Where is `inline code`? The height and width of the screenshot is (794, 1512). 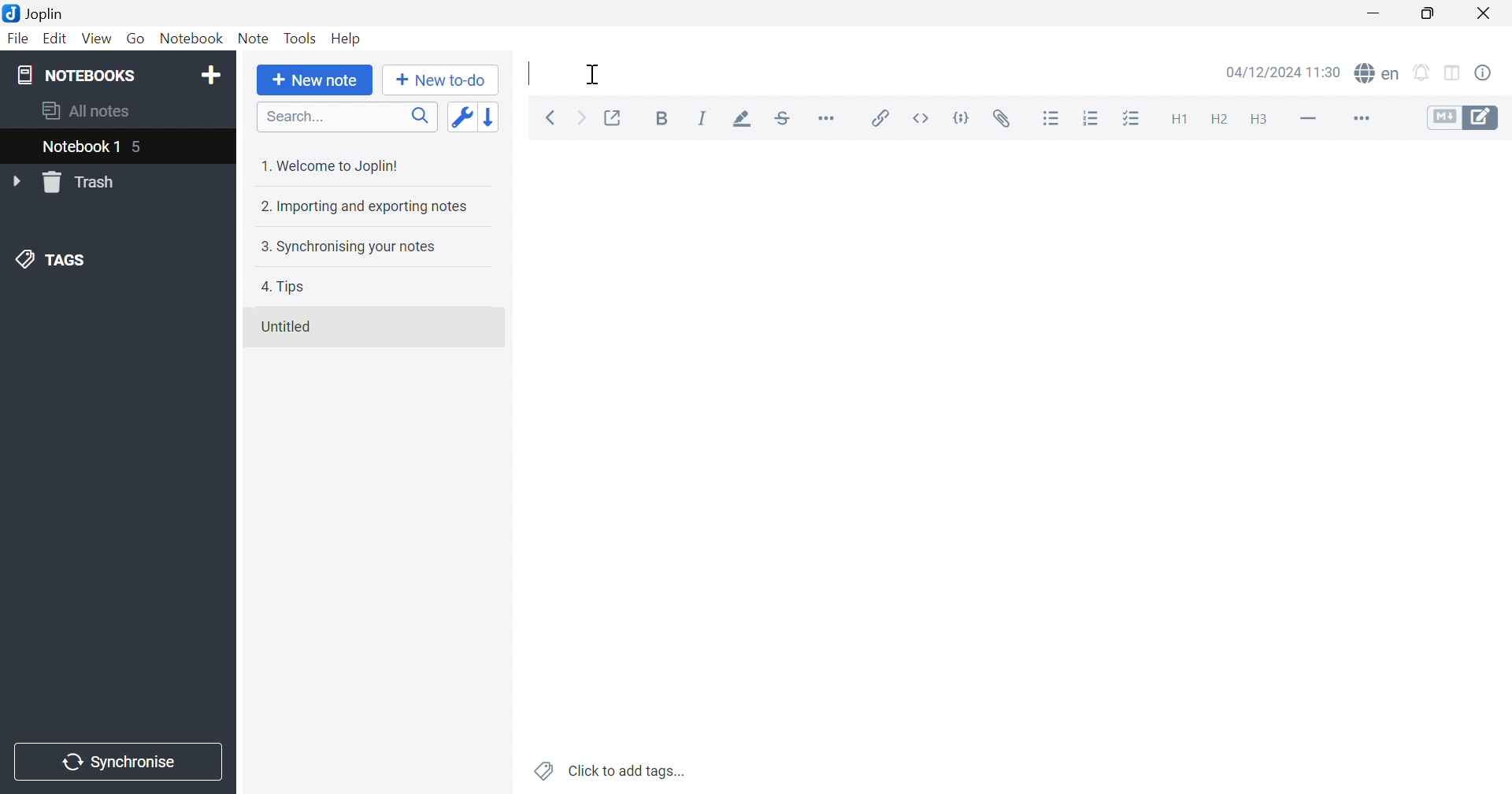
inline code is located at coordinates (922, 118).